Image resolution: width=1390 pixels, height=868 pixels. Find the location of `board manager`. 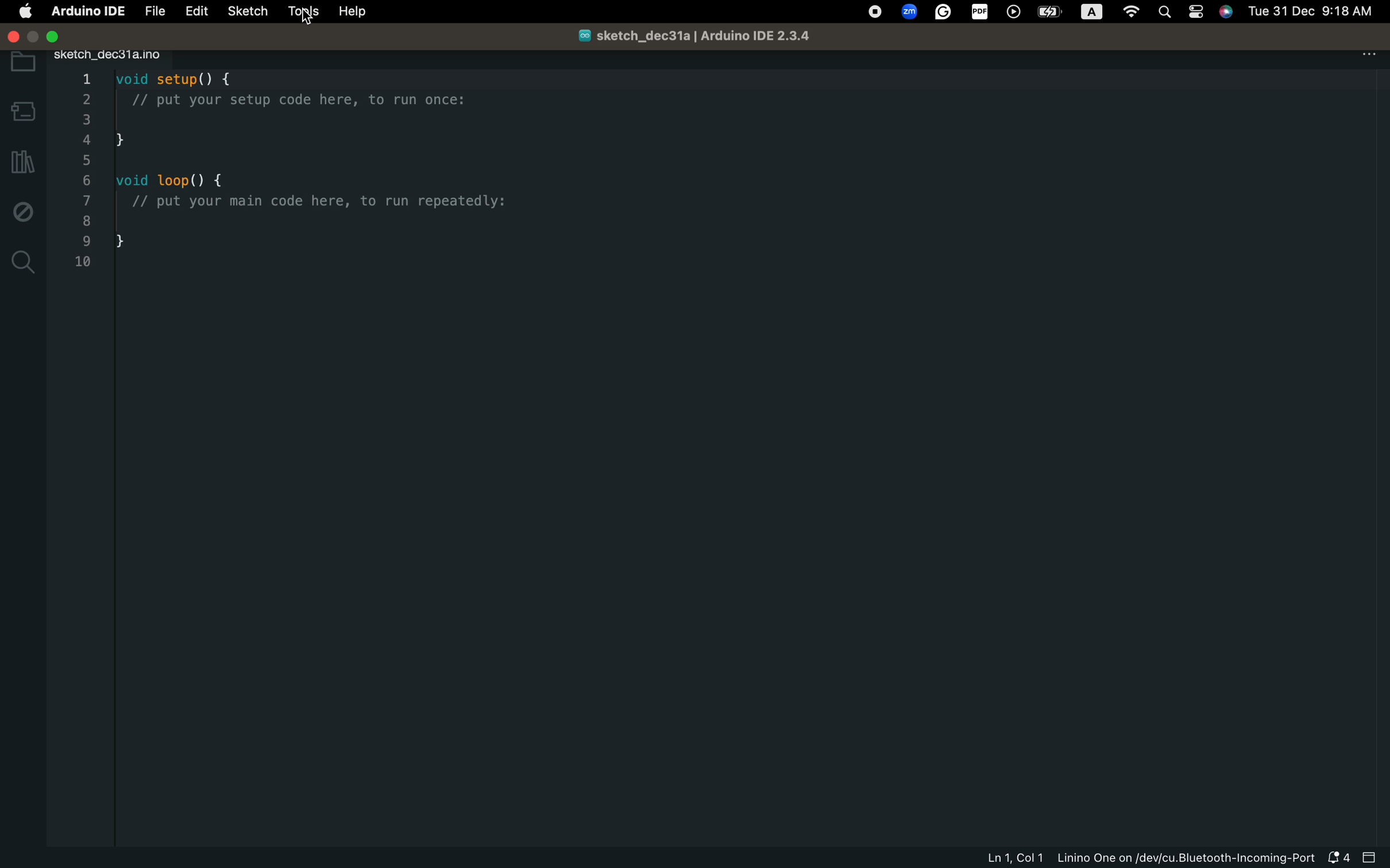

board manager is located at coordinates (21, 107).